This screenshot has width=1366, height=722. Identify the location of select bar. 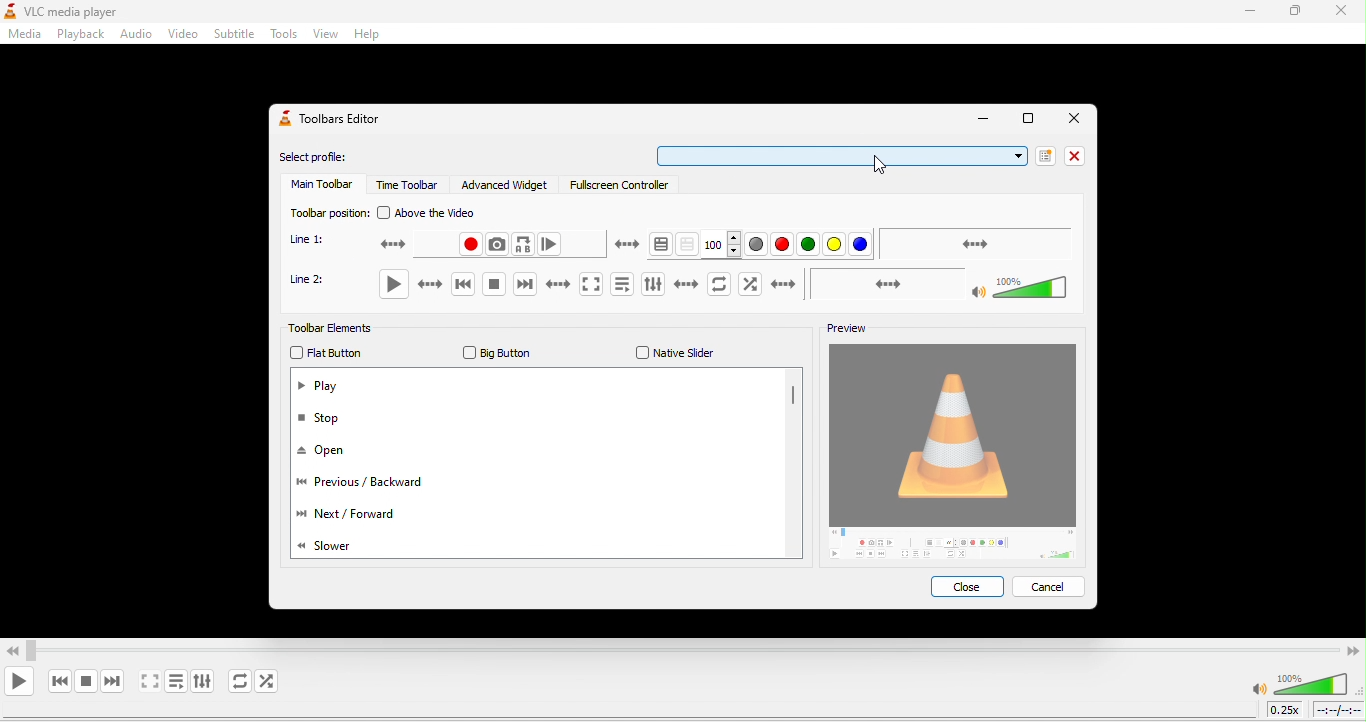
(842, 154).